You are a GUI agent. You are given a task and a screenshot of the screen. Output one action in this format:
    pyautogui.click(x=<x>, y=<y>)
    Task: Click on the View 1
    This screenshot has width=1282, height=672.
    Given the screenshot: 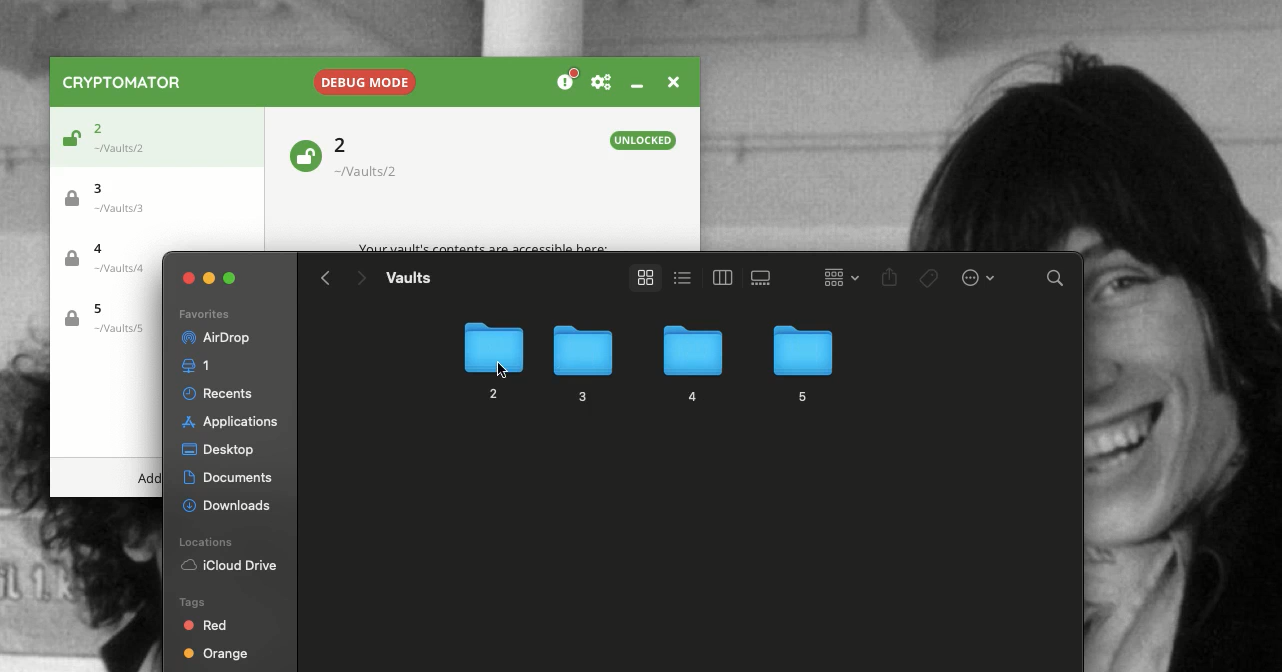 What is the action you would take?
    pyautogui.click(x=680, y=276)
    